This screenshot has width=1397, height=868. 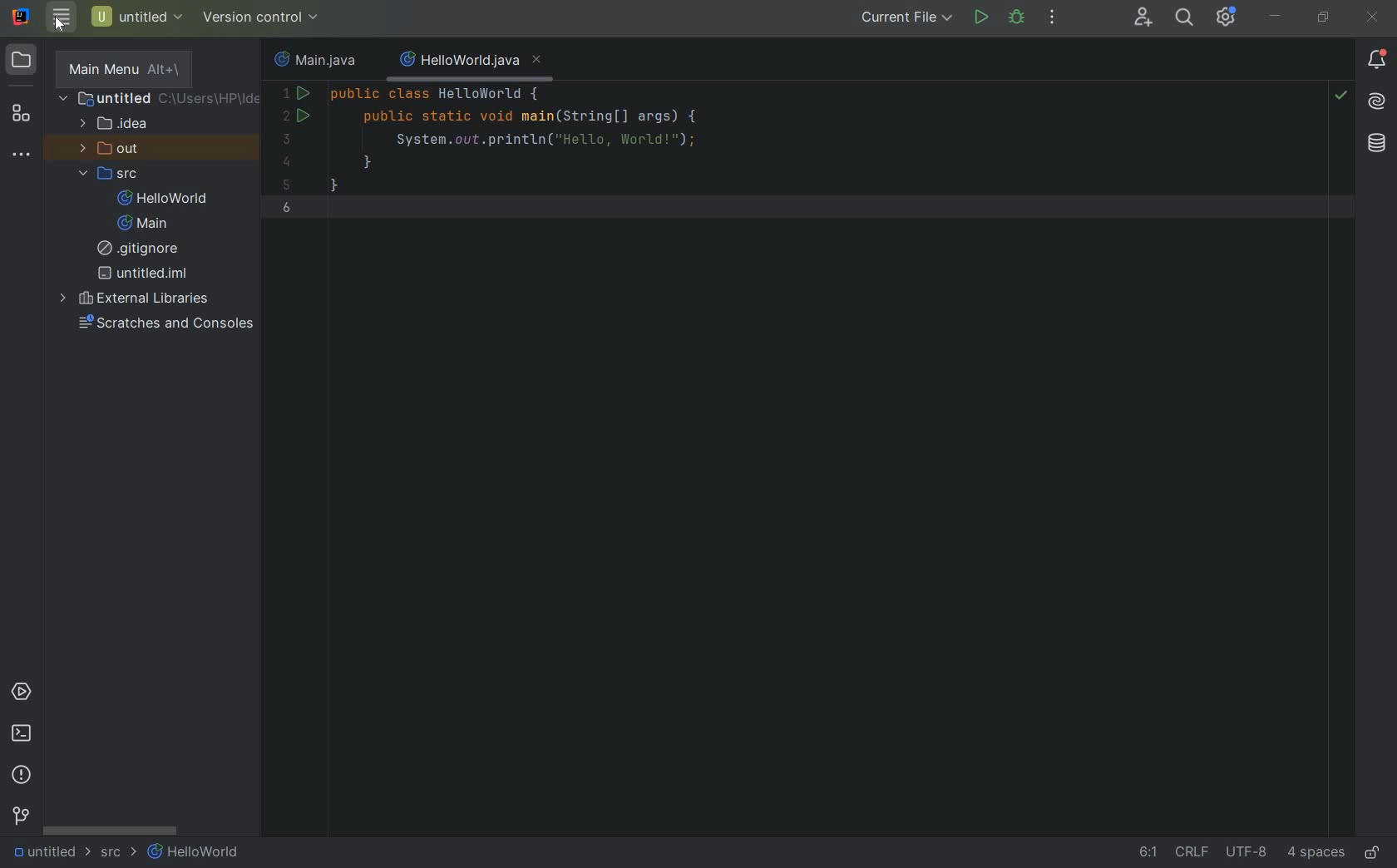 I want to click on line separator, so click(x=1195, y=854).